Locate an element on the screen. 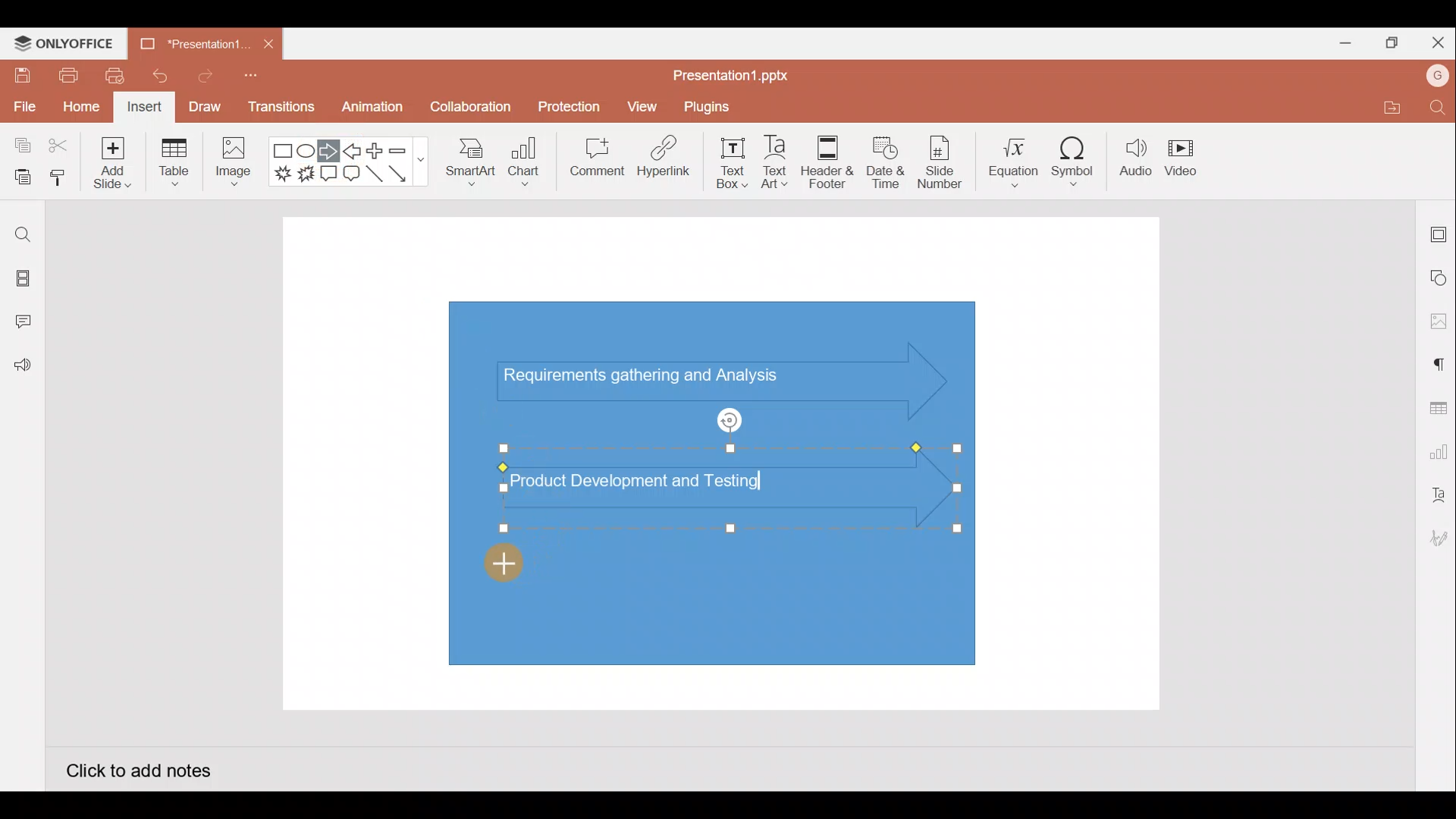  Maximize is located at coordinates (1388, 43).